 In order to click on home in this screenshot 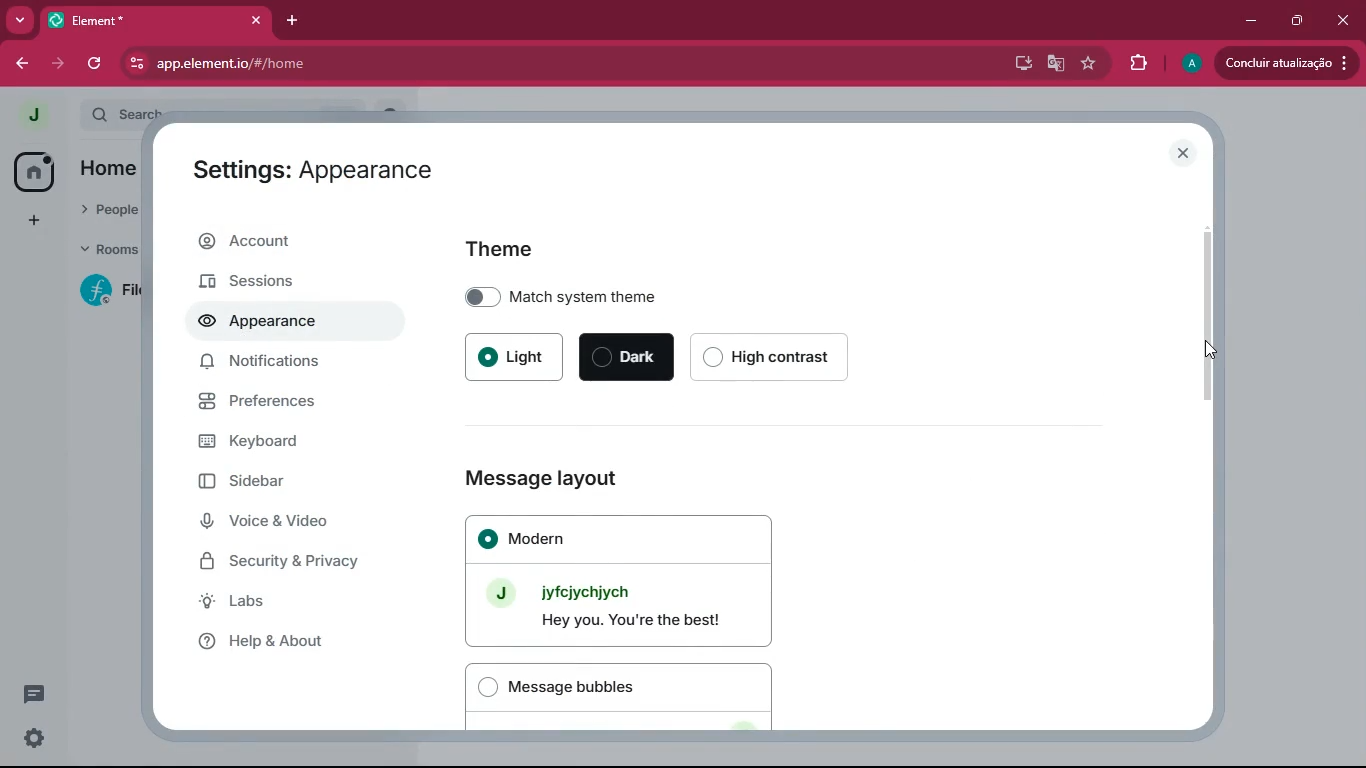, I will do `click(112, 168)`.